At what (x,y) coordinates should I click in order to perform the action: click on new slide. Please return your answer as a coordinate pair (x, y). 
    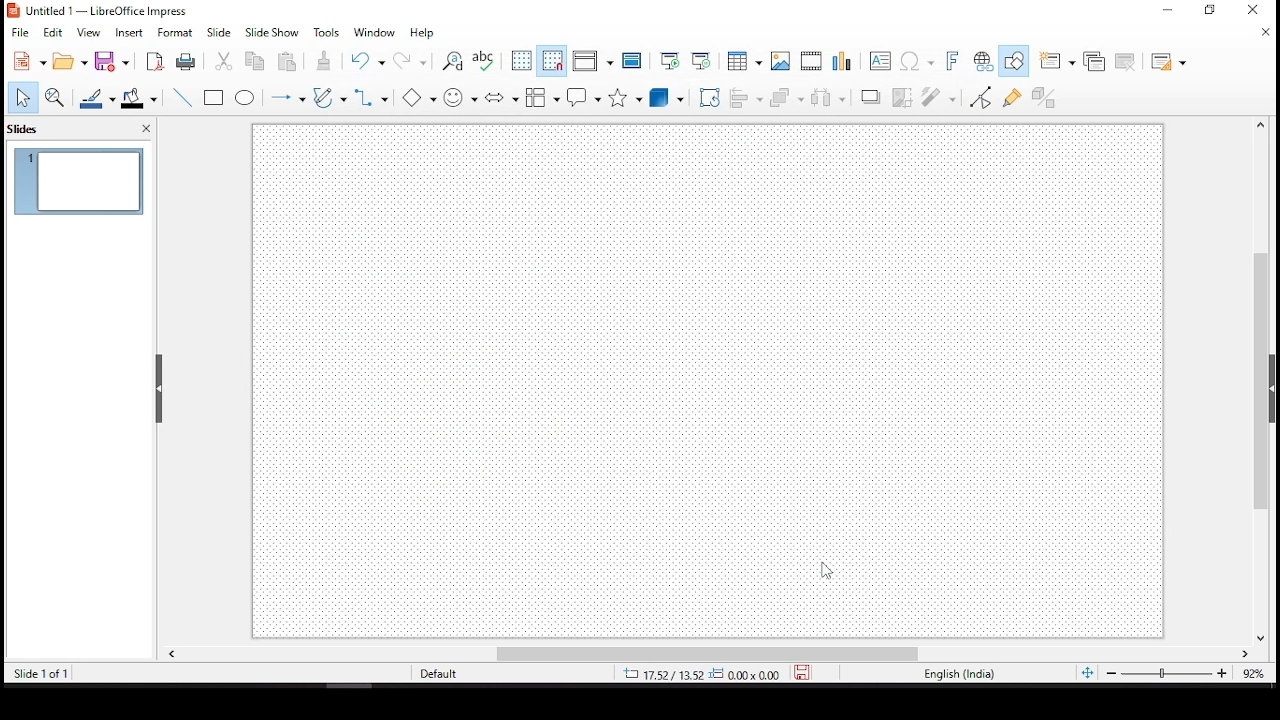
    Looking at the image, I should click on (1057, 59).